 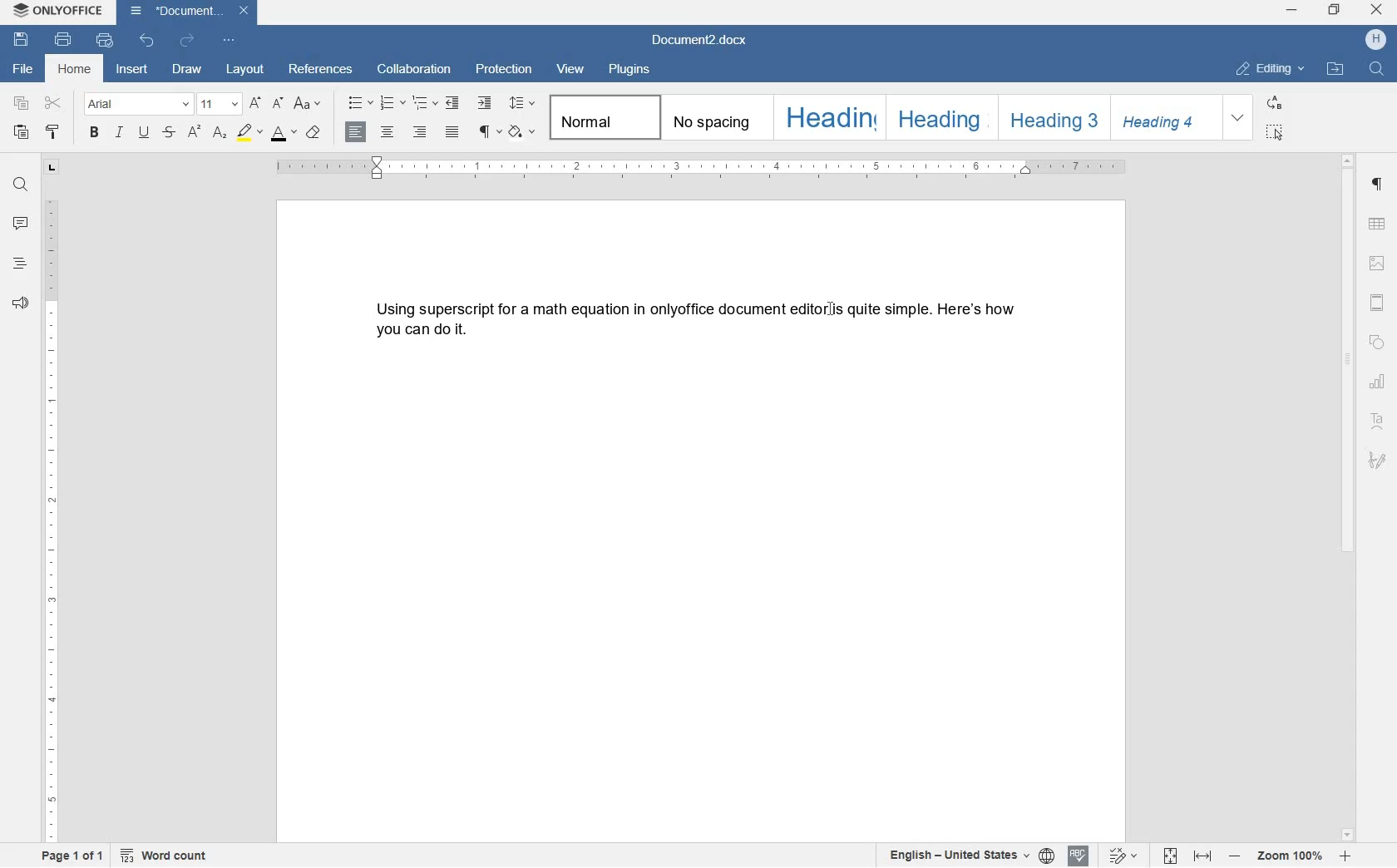 I want to click on spell check, so click(x=1077, y=856).